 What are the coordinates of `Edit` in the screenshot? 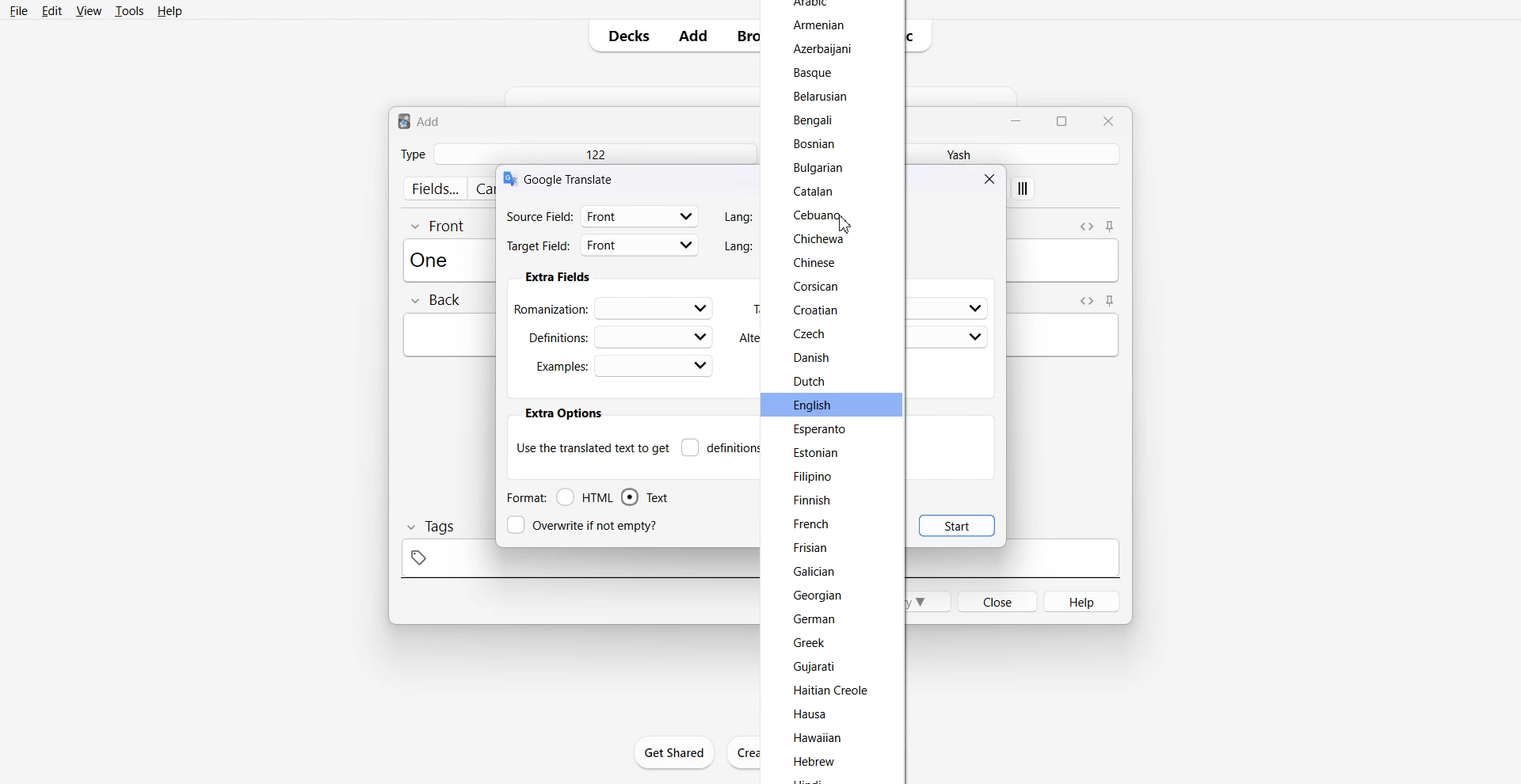 It's located at (51, 10).